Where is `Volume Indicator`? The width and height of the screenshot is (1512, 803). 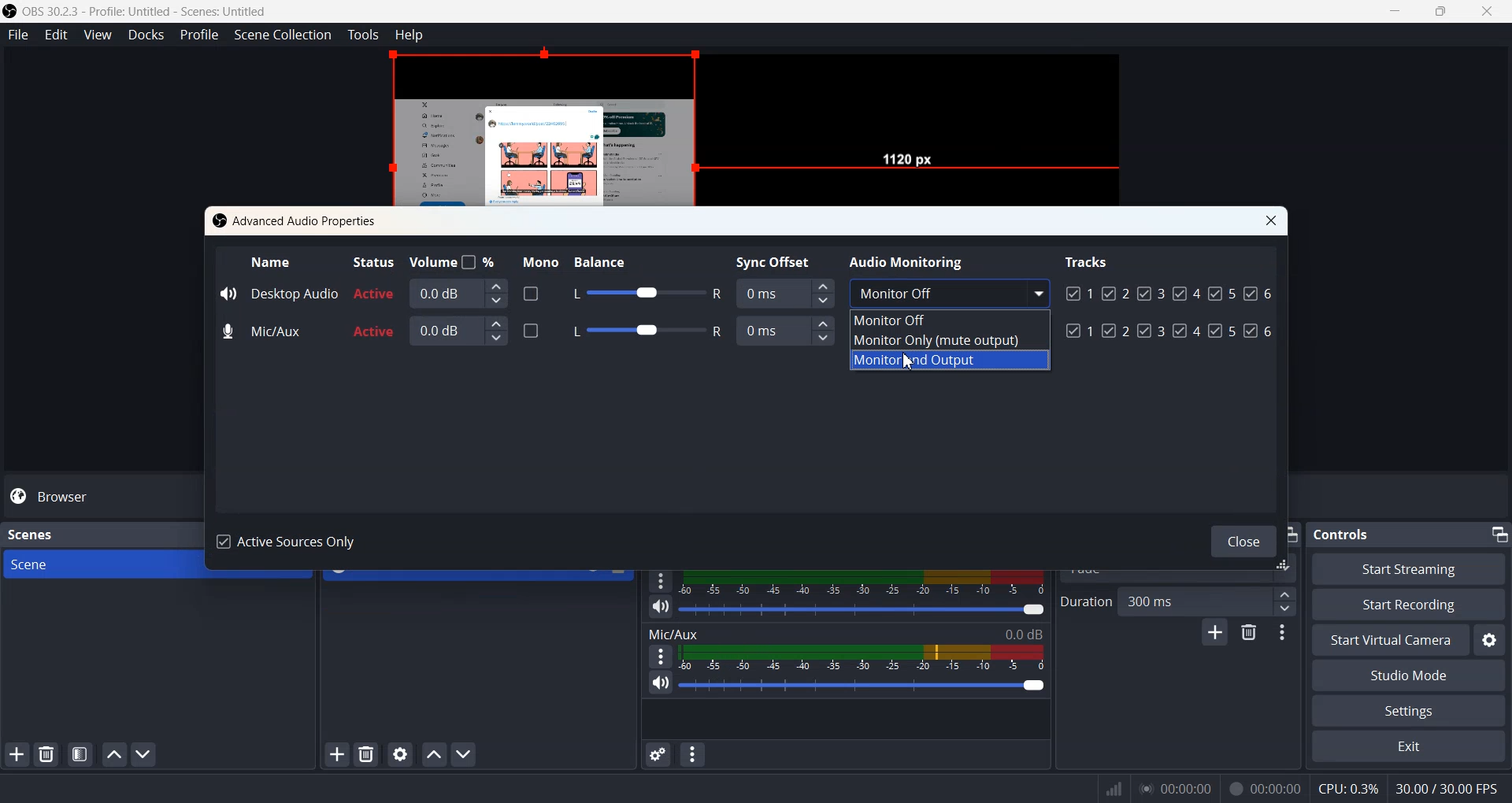
Volume Indicator is located at coordinates (862, 657).